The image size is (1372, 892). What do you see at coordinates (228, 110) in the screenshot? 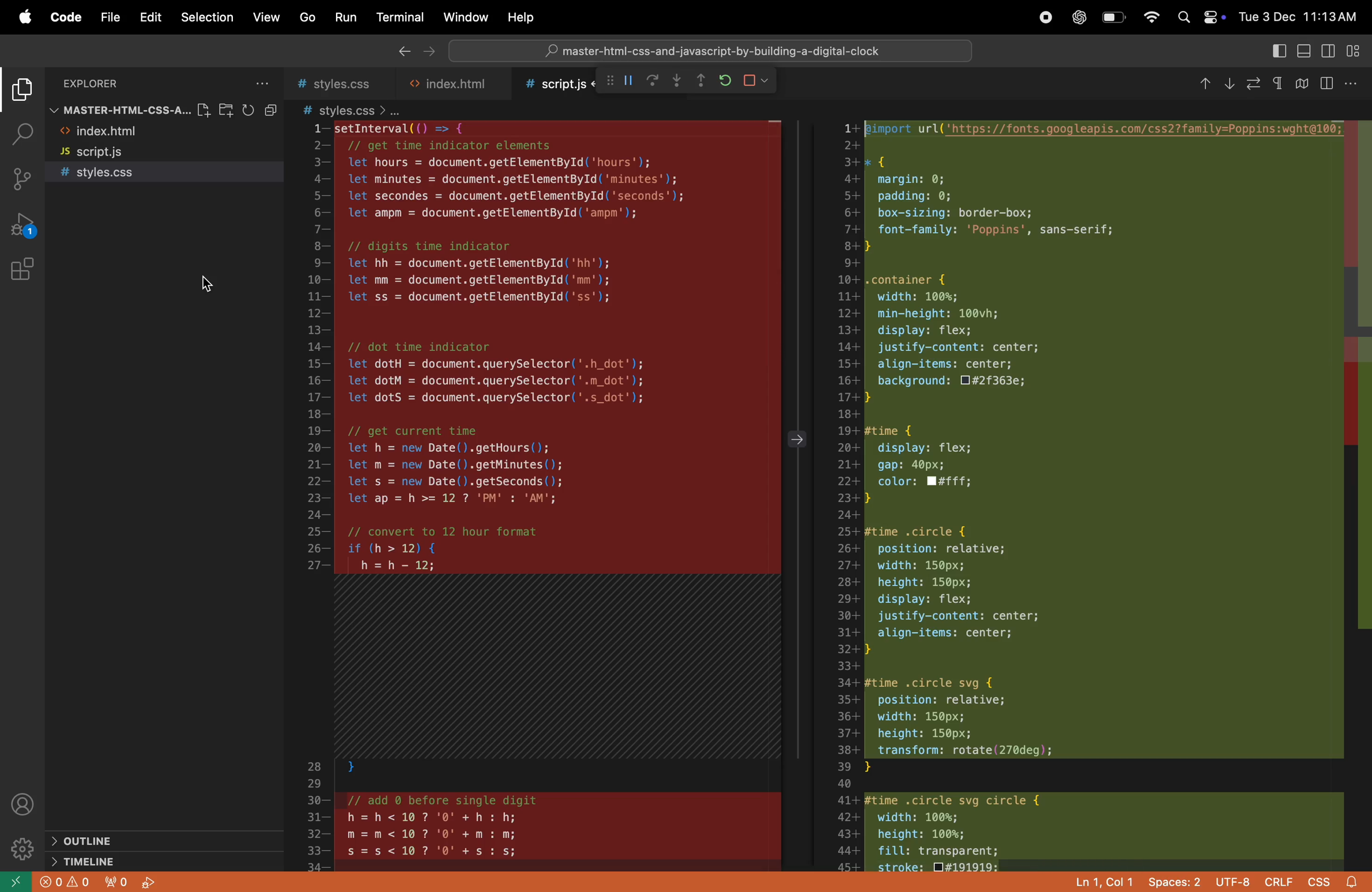
I see `new folder` at bounding box center [228, 110].